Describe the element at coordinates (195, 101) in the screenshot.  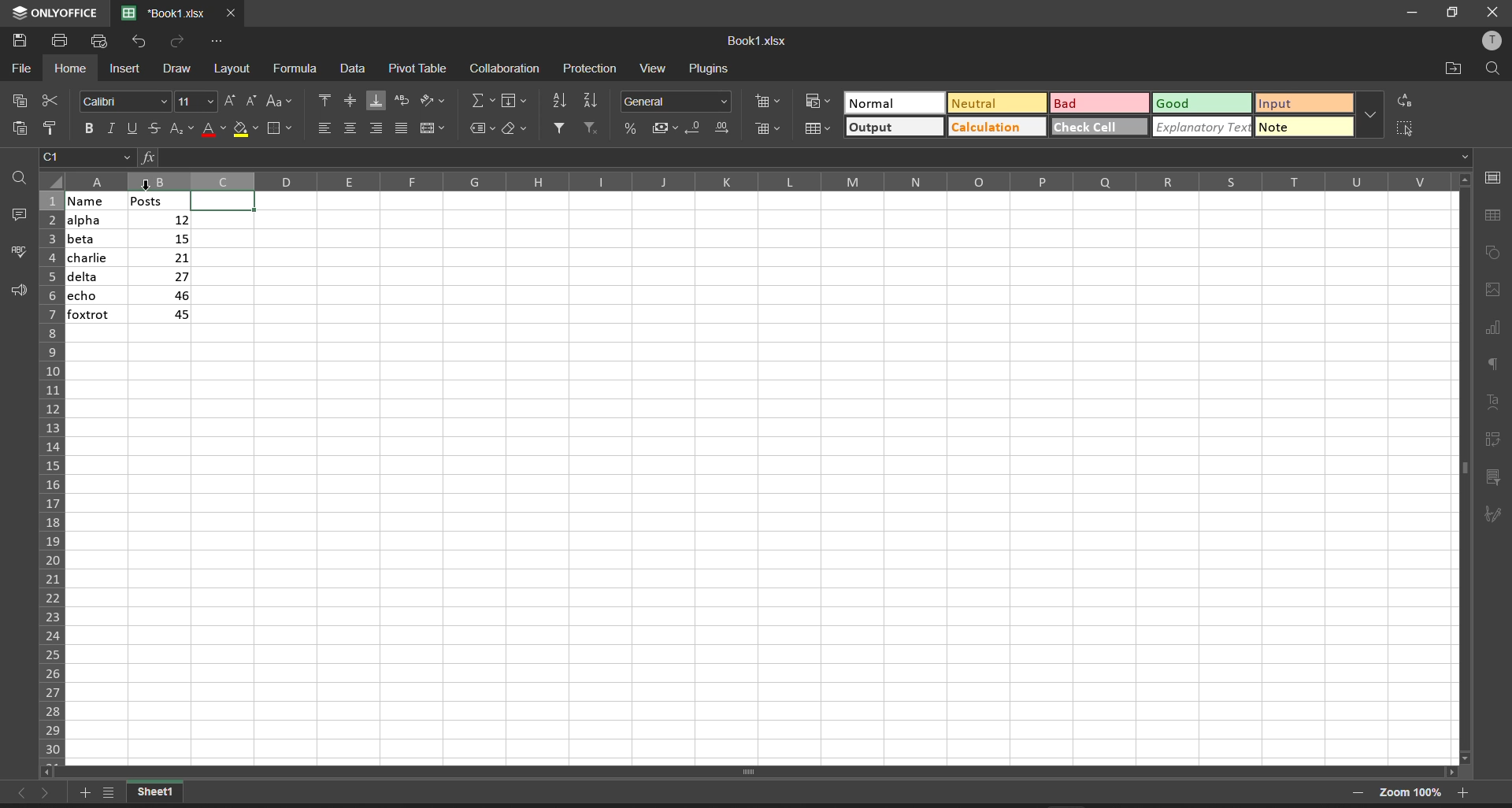
I see `font size` at that location.